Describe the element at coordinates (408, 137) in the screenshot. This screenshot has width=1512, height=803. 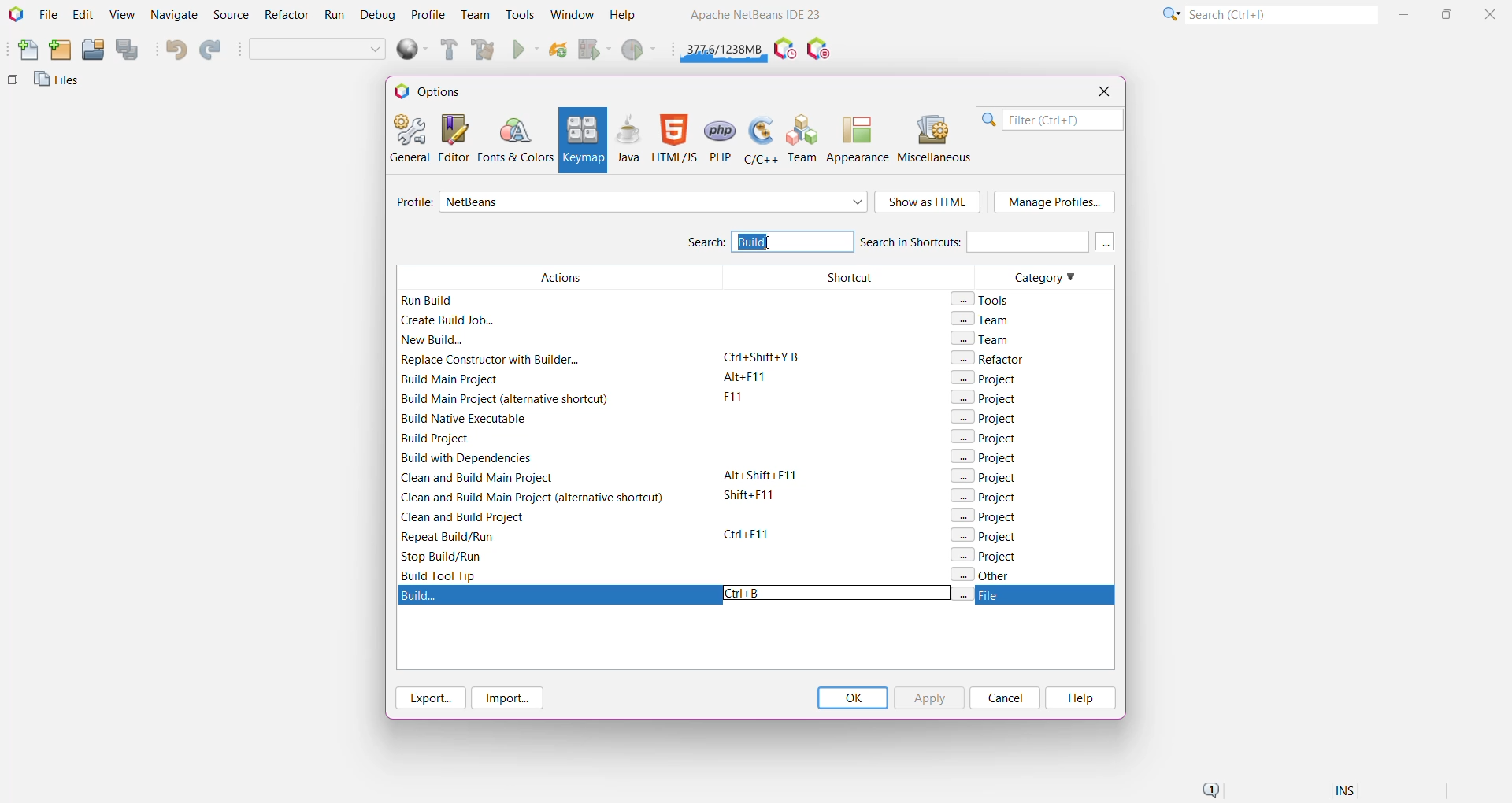
I see `General` at that location.